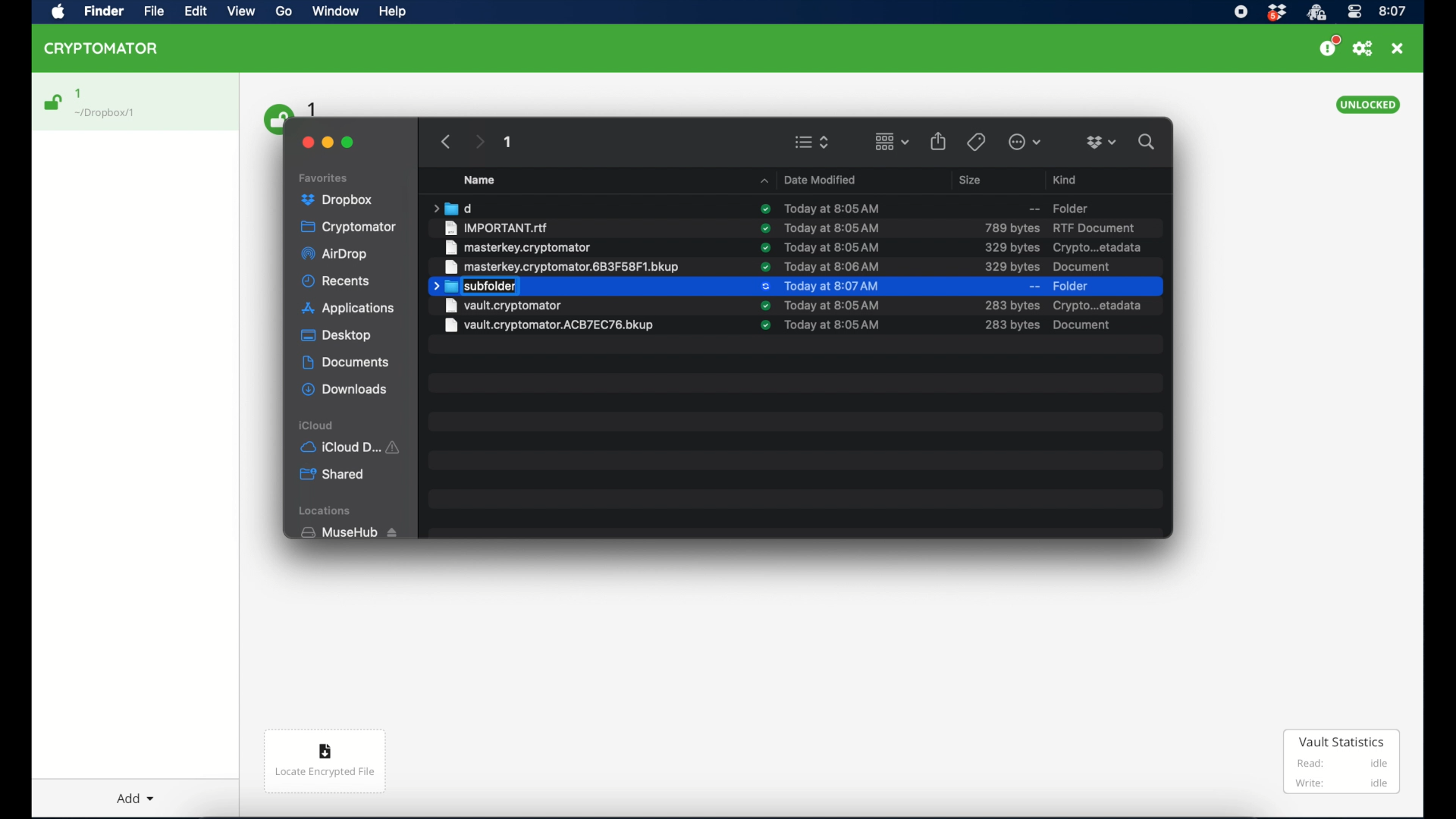  What do you see at coordinates (765, 266) in the screenshot?
I see `` at bounding box center [765, 266].